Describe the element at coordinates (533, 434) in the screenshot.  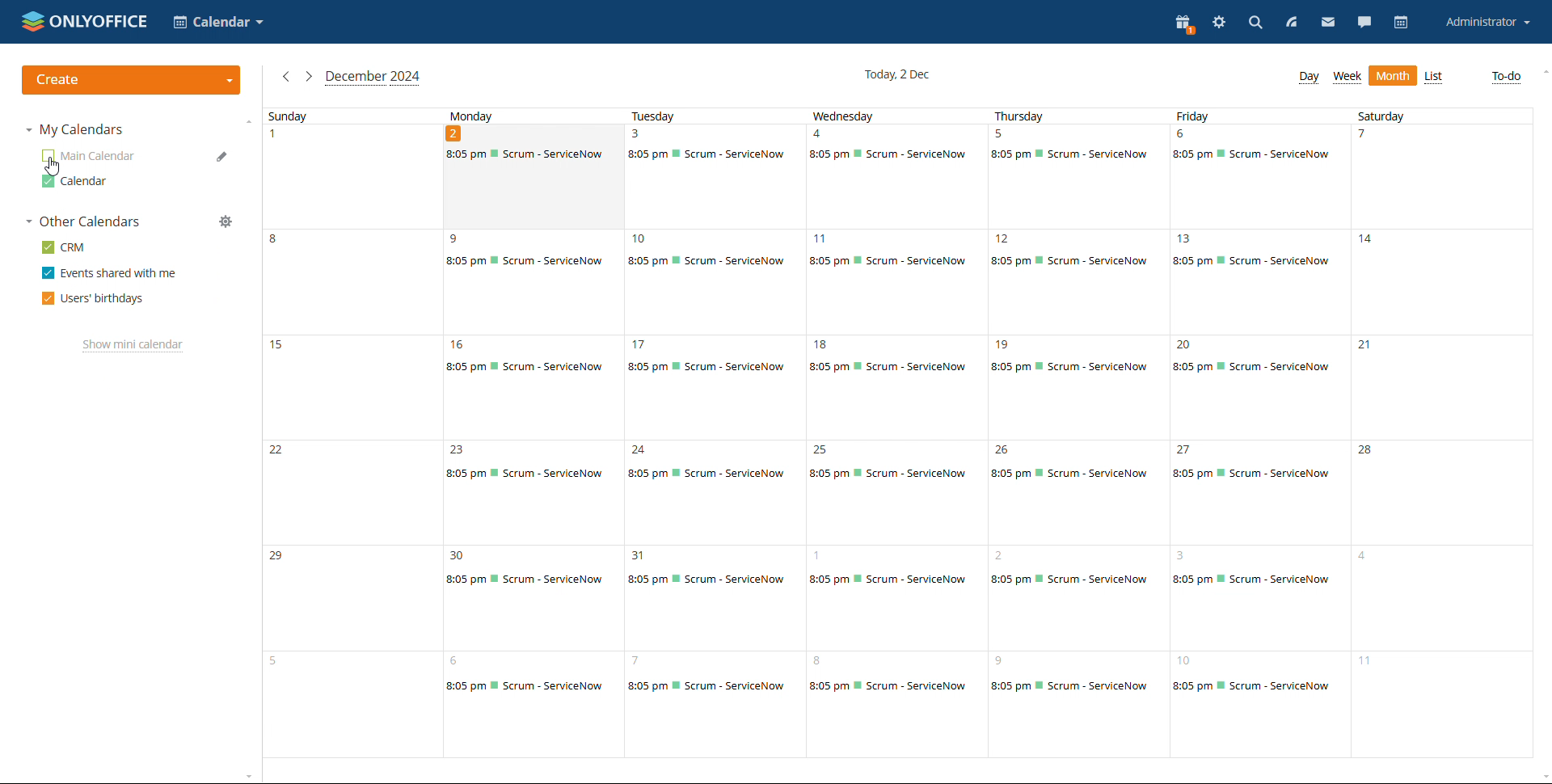
I see `monday` at that location.